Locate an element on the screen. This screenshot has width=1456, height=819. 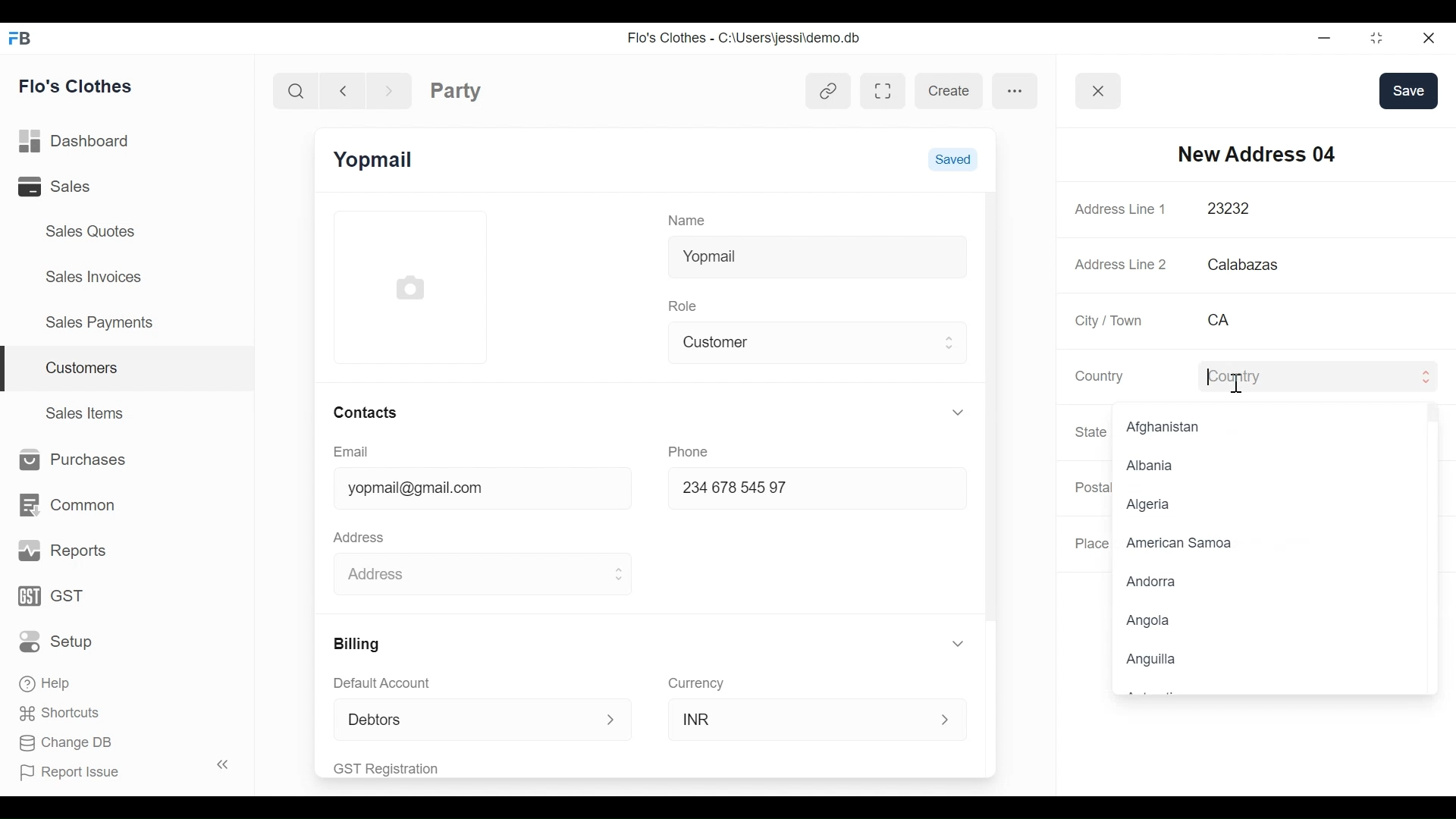
Algeria is located at coordinates (1147, 504).